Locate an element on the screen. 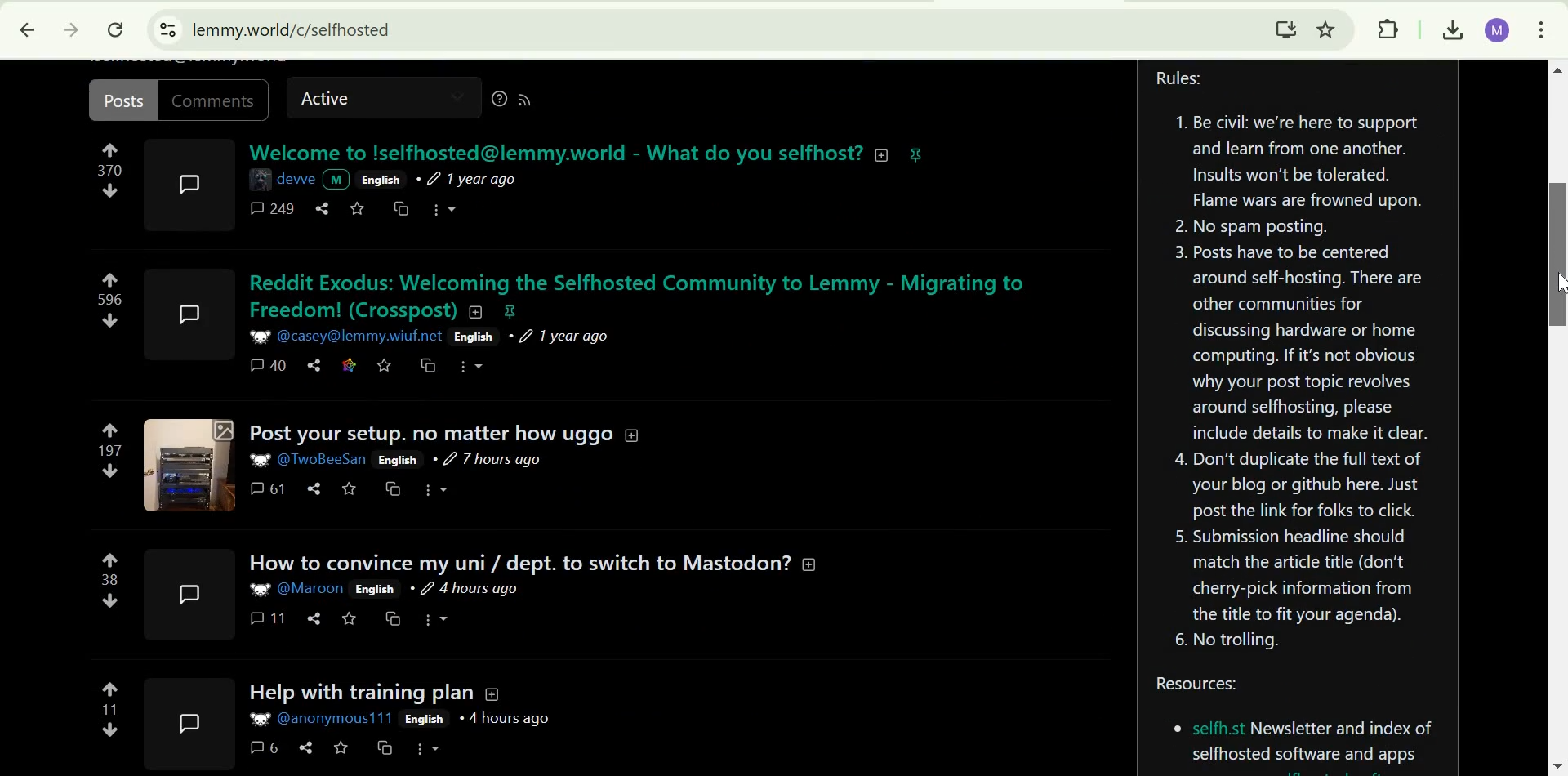 The height and width of the screenshot is (776, 1568). English is located at coordinates (375, 589).